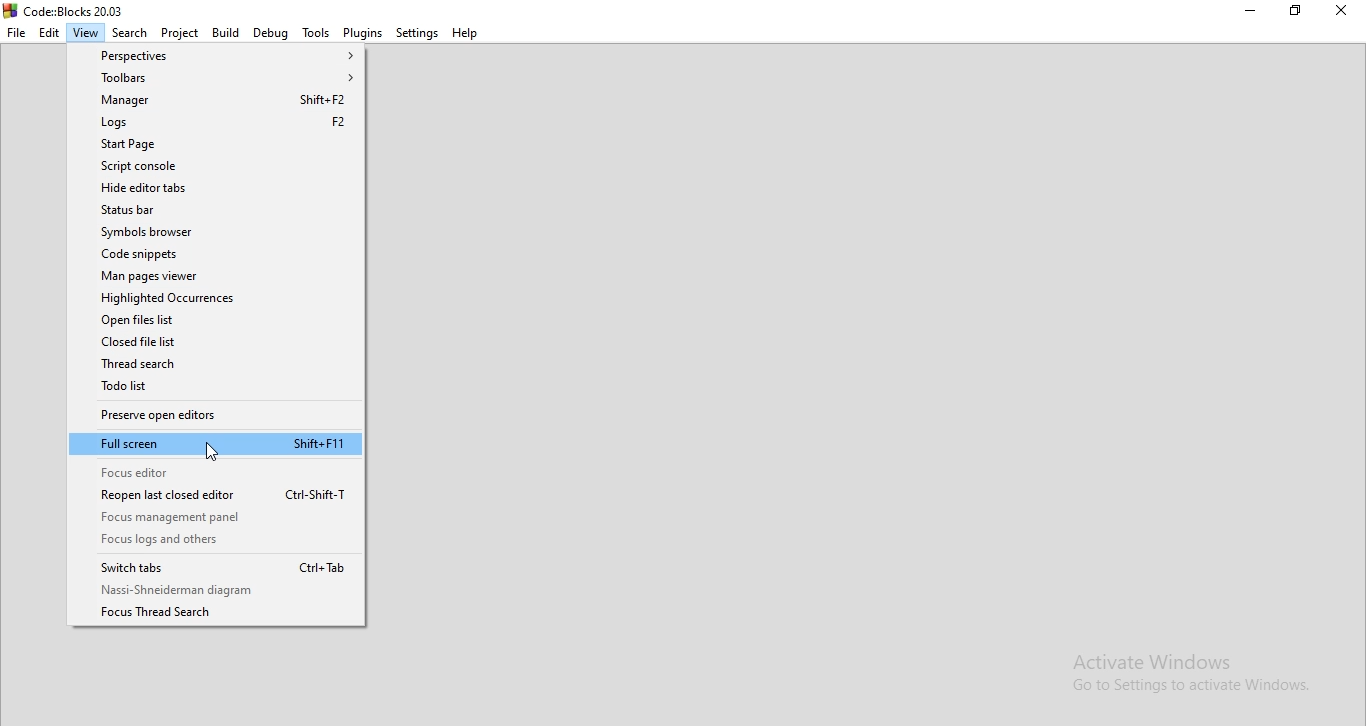 This screenshot has width=1366, height=726. What do you see at coordinates (465, 32) in the screenshot?
I see `Help` at bounding box center [465, 32].